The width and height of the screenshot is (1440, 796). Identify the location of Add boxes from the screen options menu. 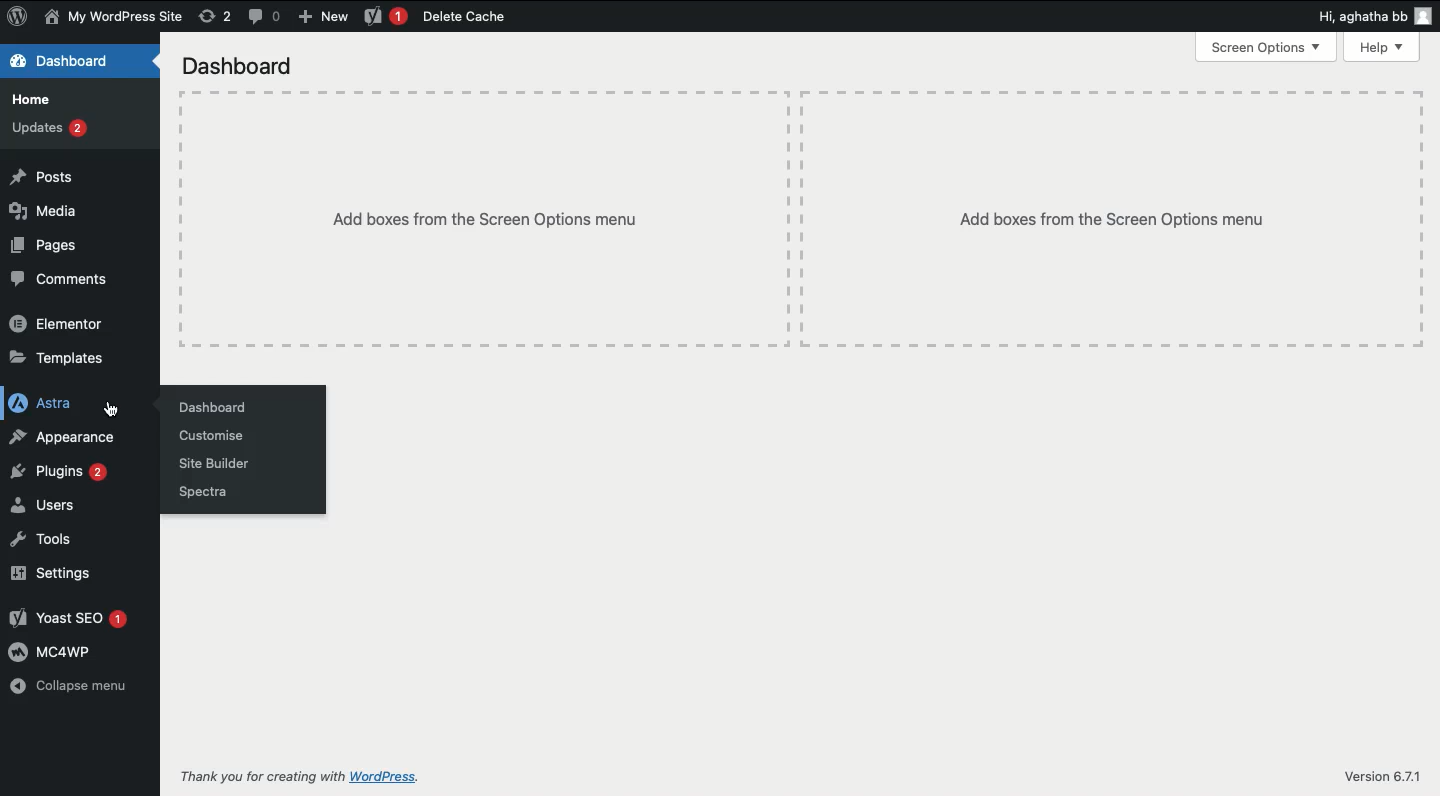
(486, 219).